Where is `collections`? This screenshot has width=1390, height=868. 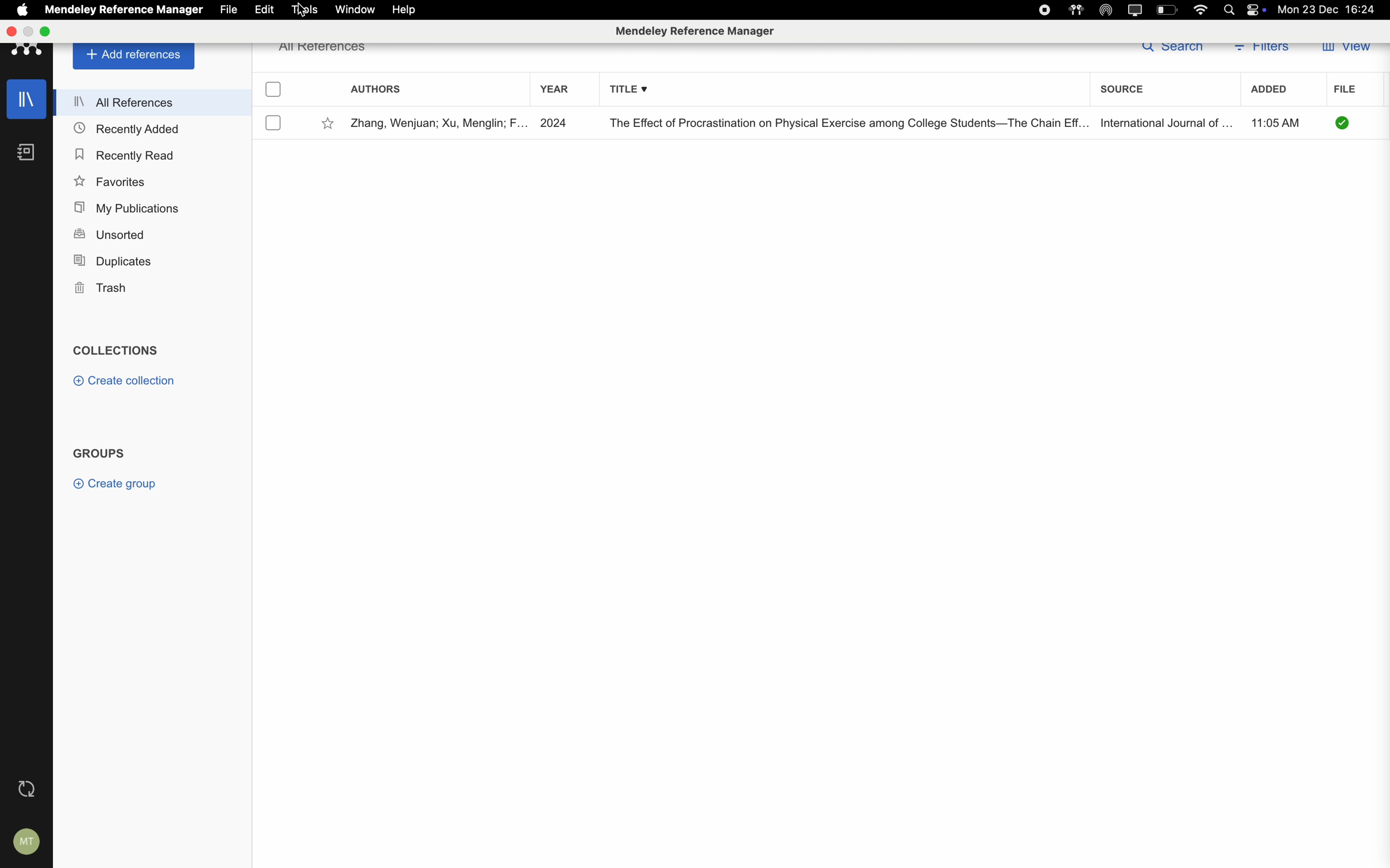
collections is located at coordinates (115, 350).